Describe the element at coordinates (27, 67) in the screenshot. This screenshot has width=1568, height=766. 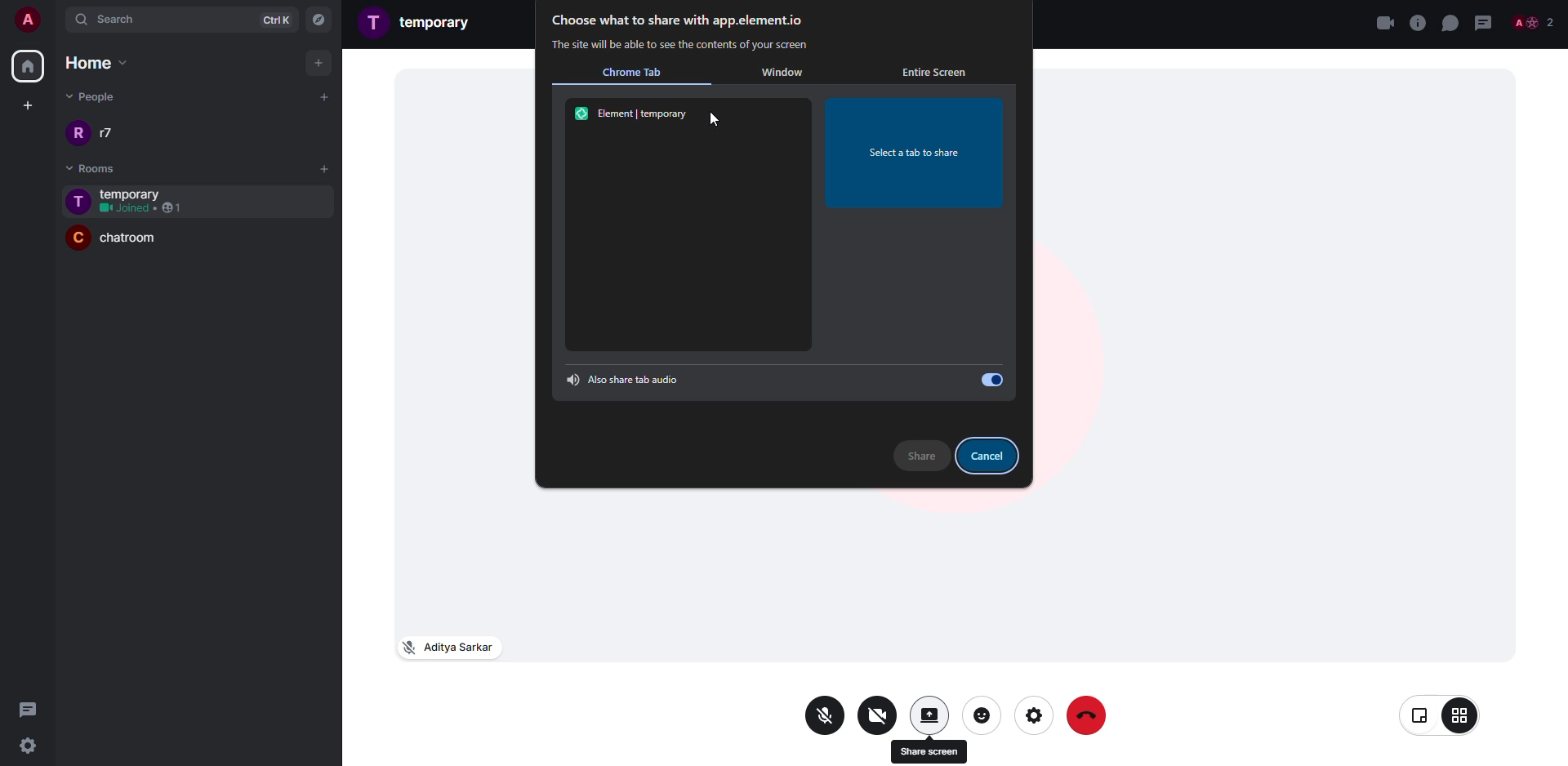
I see `home` at that location.